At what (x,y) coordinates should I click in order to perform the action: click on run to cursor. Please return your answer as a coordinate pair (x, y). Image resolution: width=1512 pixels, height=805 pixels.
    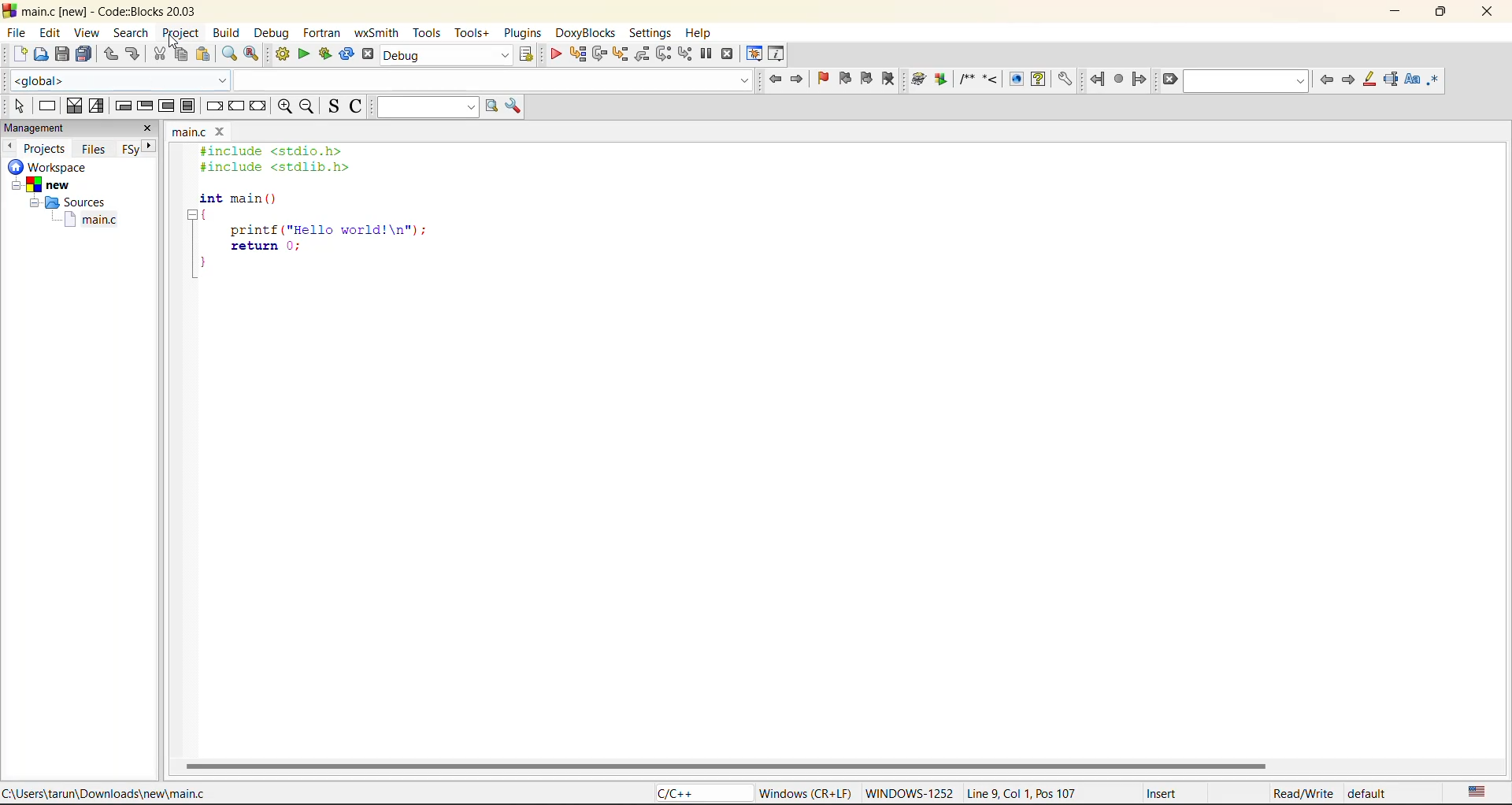
    Looking at the image, I should click on (577, 53).